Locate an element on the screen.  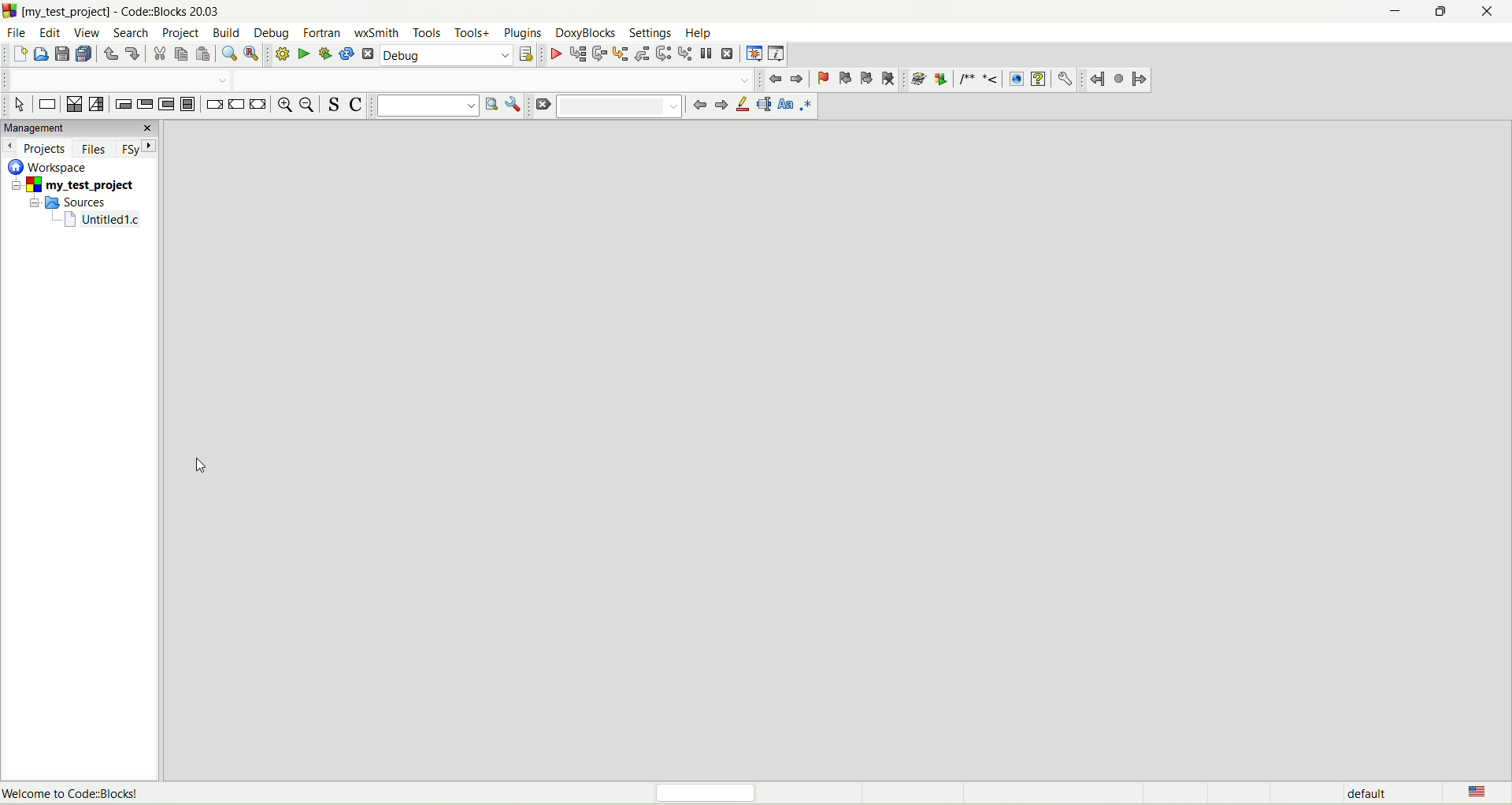
replace is located at coordinates (255, 54).